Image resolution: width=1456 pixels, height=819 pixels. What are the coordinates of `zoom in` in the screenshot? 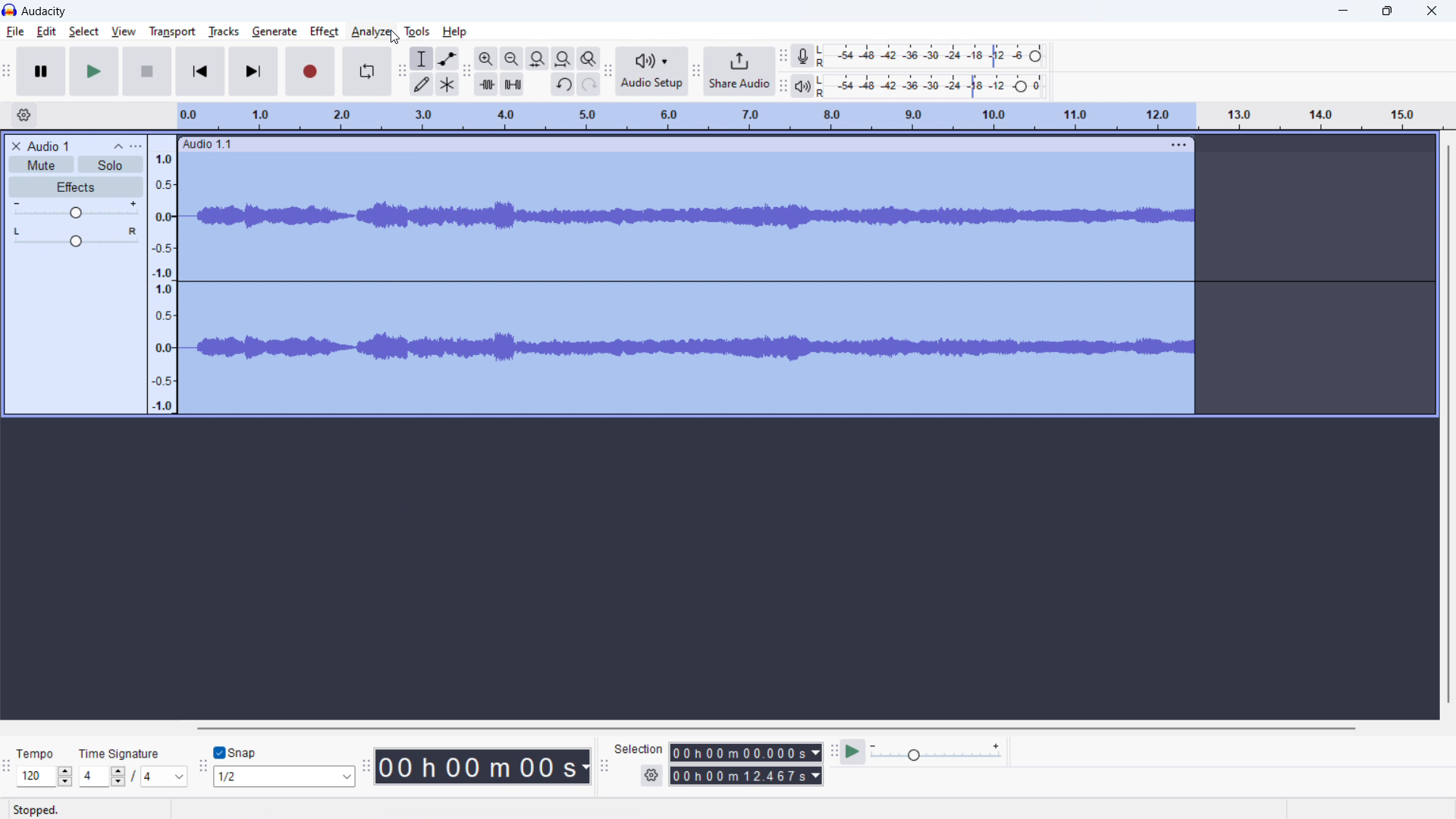 It's located at (486, 58).